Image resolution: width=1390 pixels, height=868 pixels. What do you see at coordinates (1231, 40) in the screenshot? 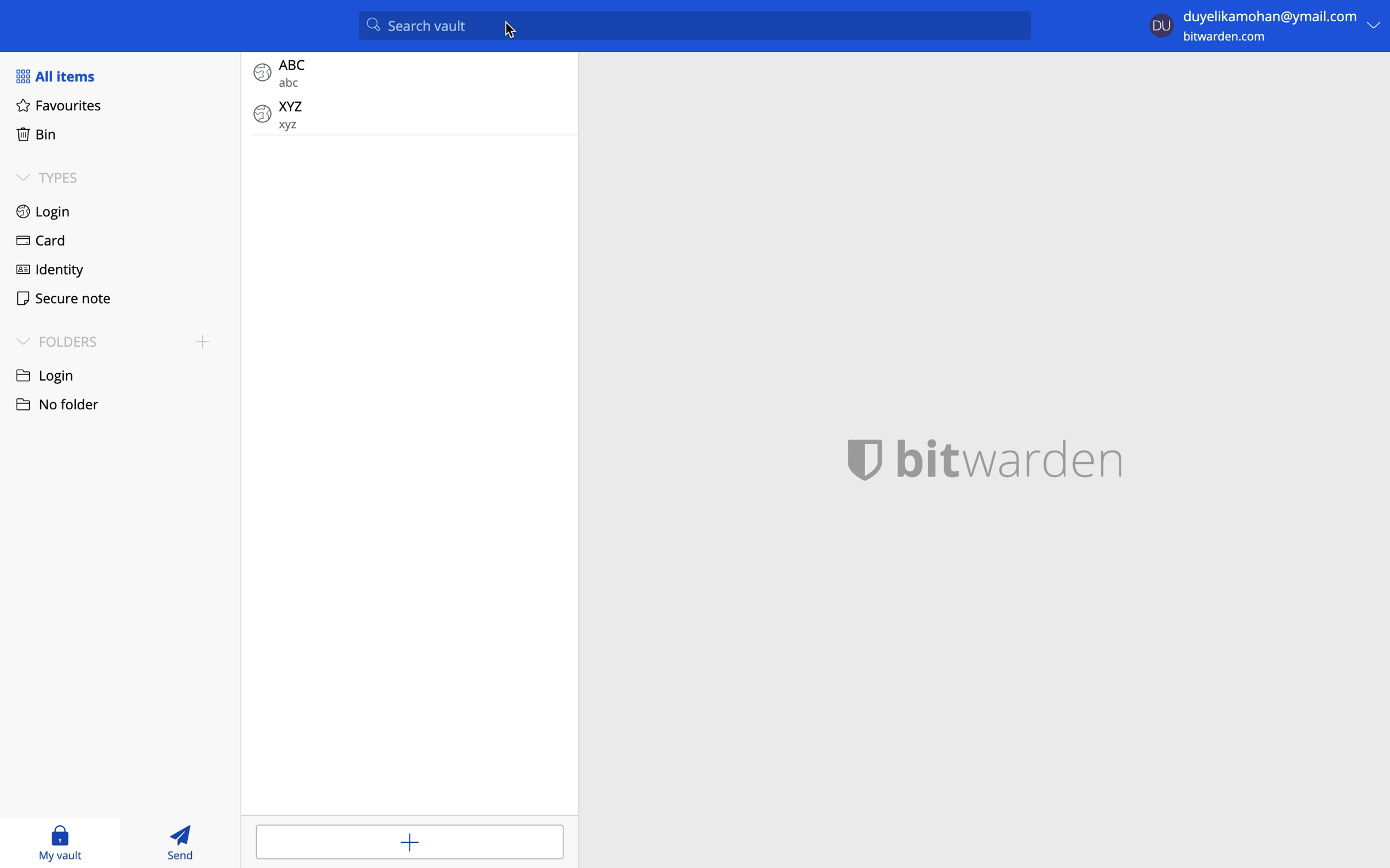
I see `bitwarden.com` at bounding box center [1231, 40].